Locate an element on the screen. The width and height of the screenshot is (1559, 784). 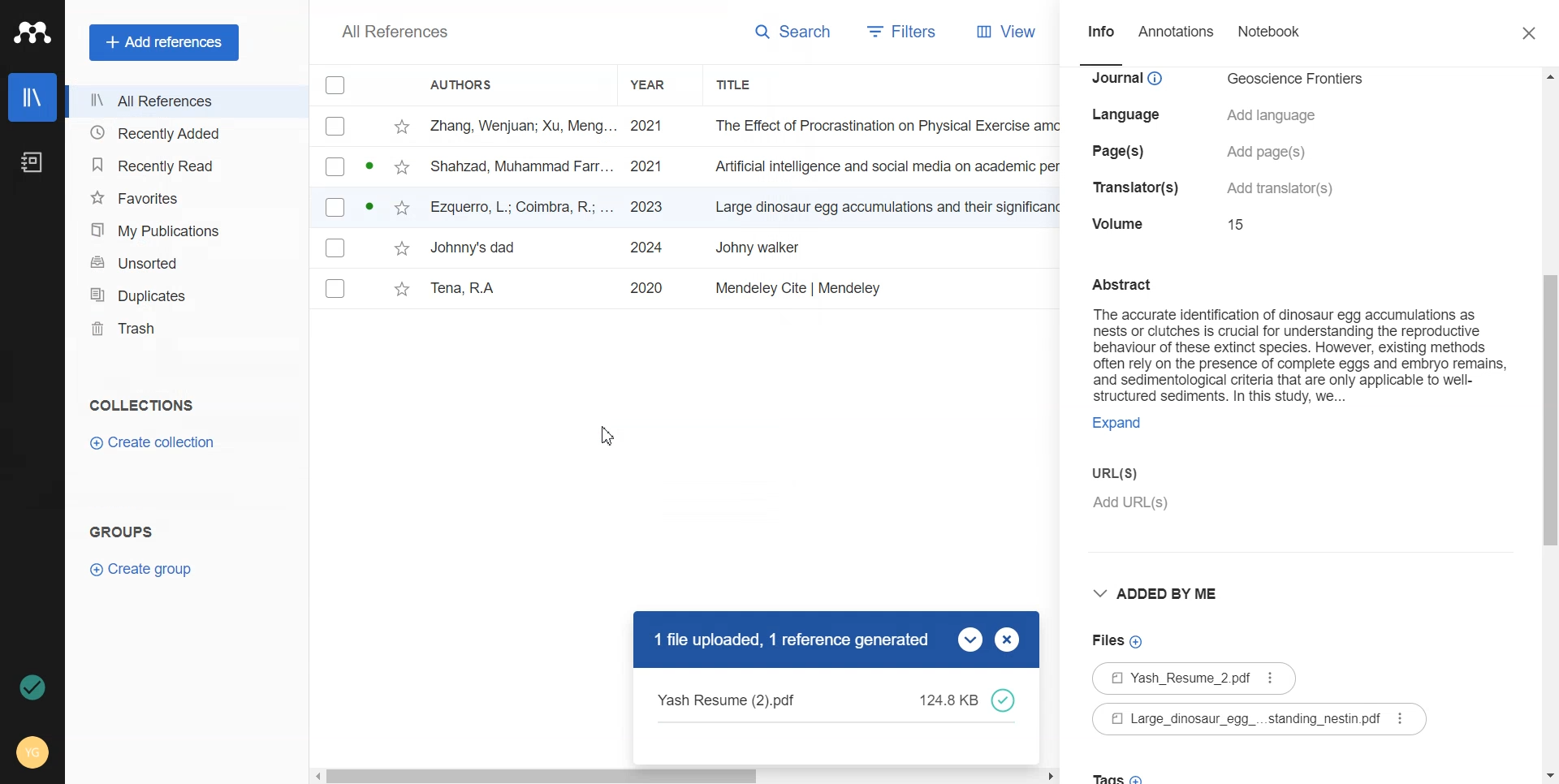
star is located at coordinates (403, 207).